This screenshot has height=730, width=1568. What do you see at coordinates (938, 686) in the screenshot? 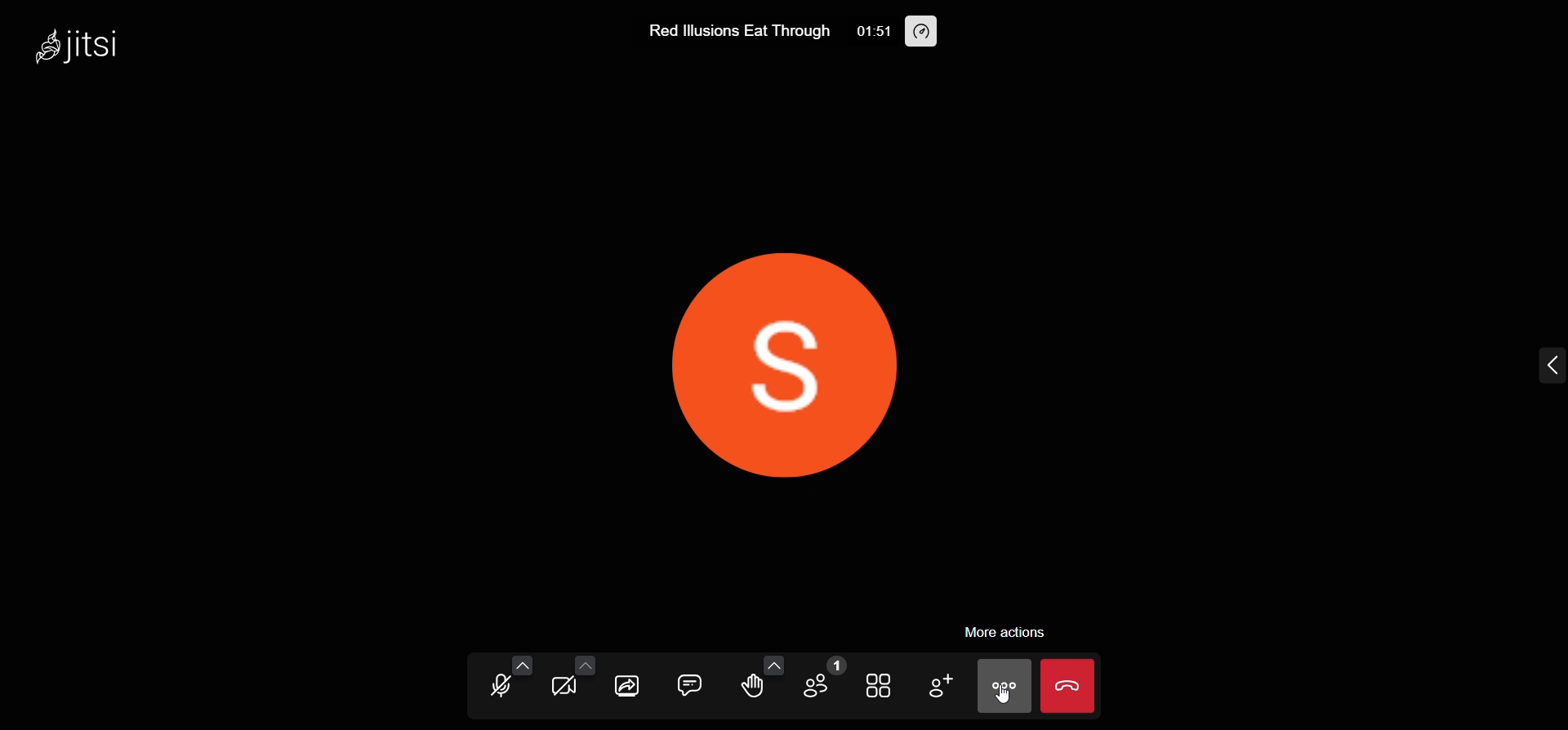
I see `invite people` at bounding box center [938, 686].